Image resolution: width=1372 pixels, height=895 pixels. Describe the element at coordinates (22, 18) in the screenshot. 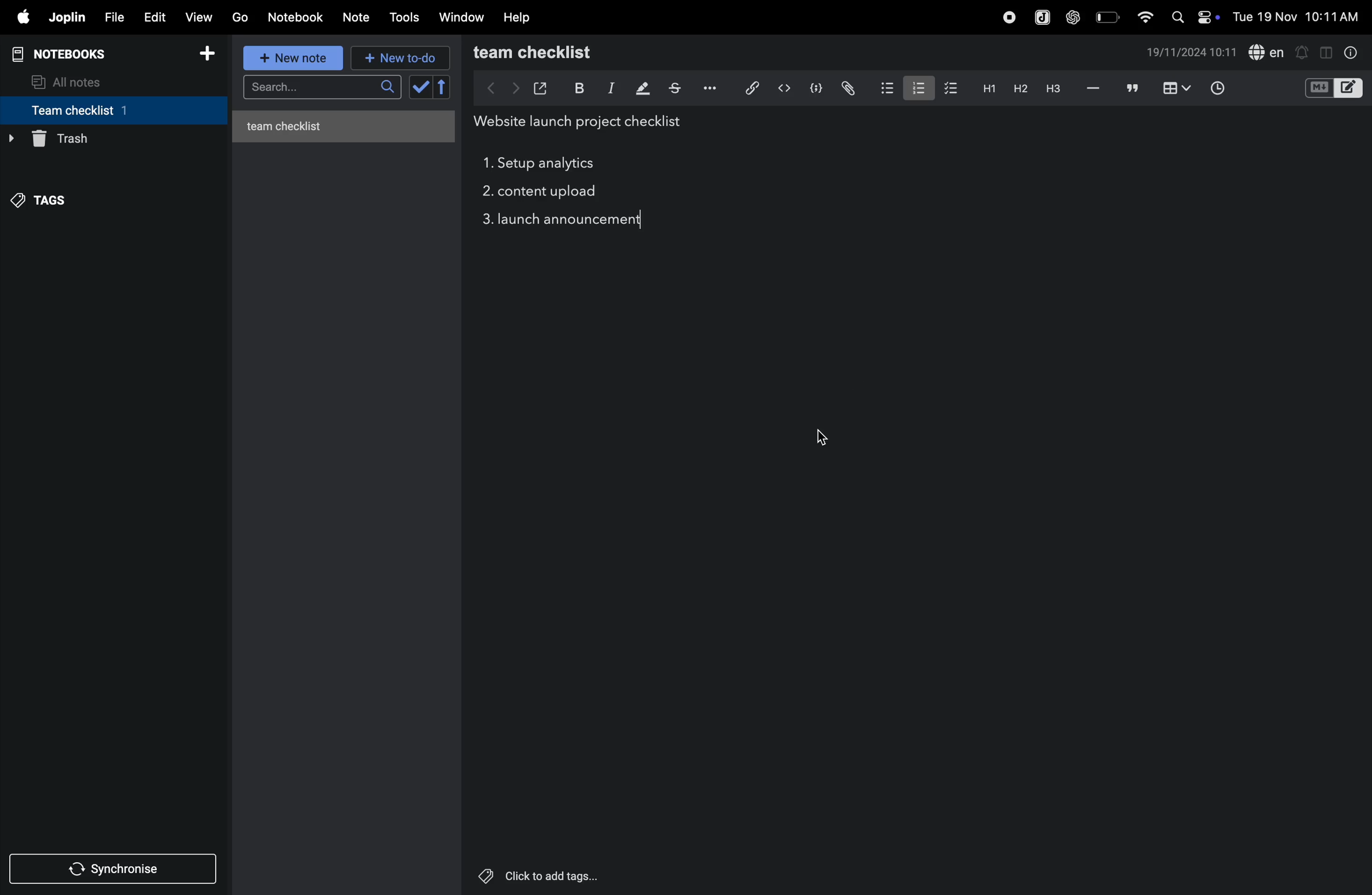

I see `apple menu` at that location.